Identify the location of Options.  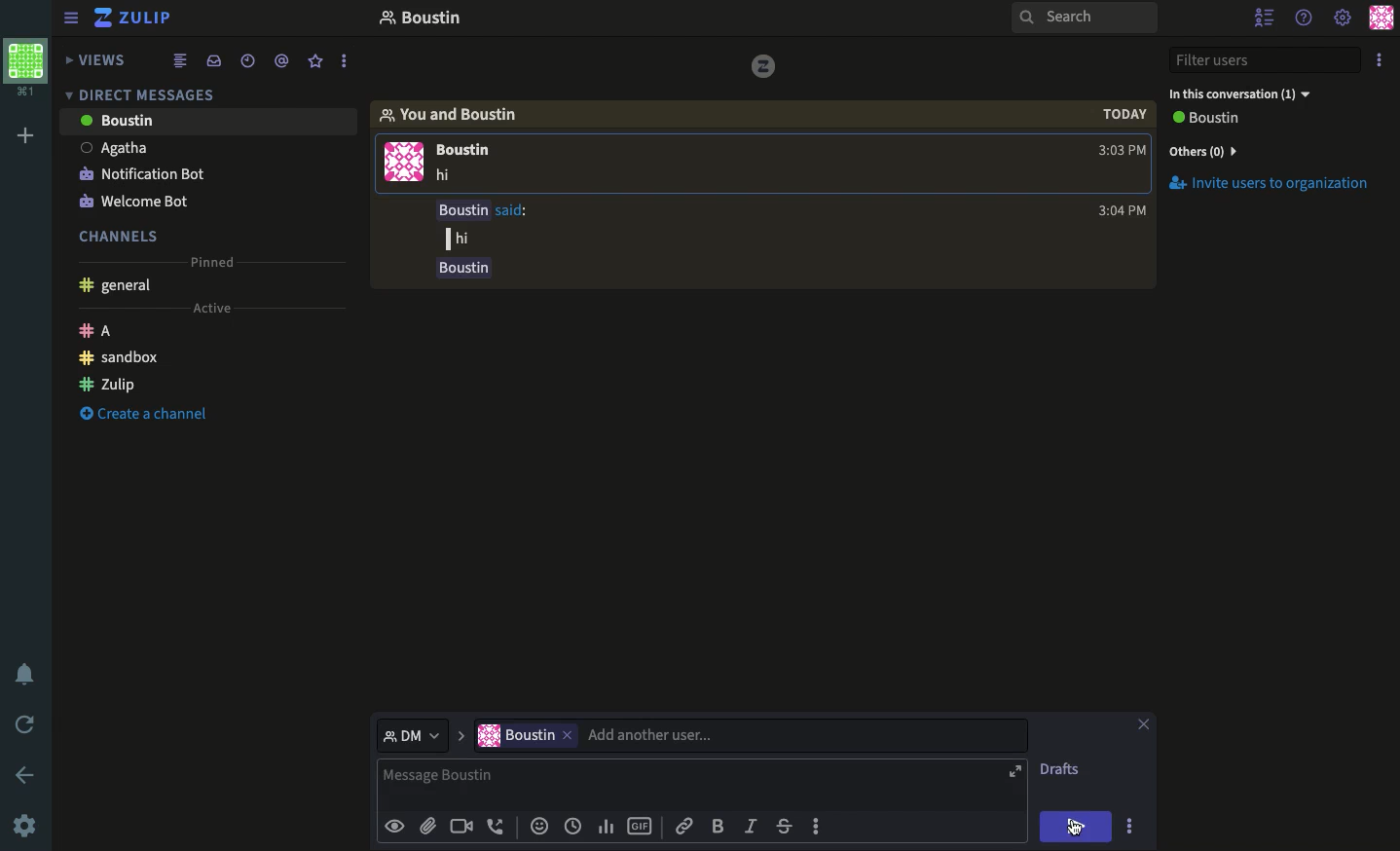
(1129, 825).